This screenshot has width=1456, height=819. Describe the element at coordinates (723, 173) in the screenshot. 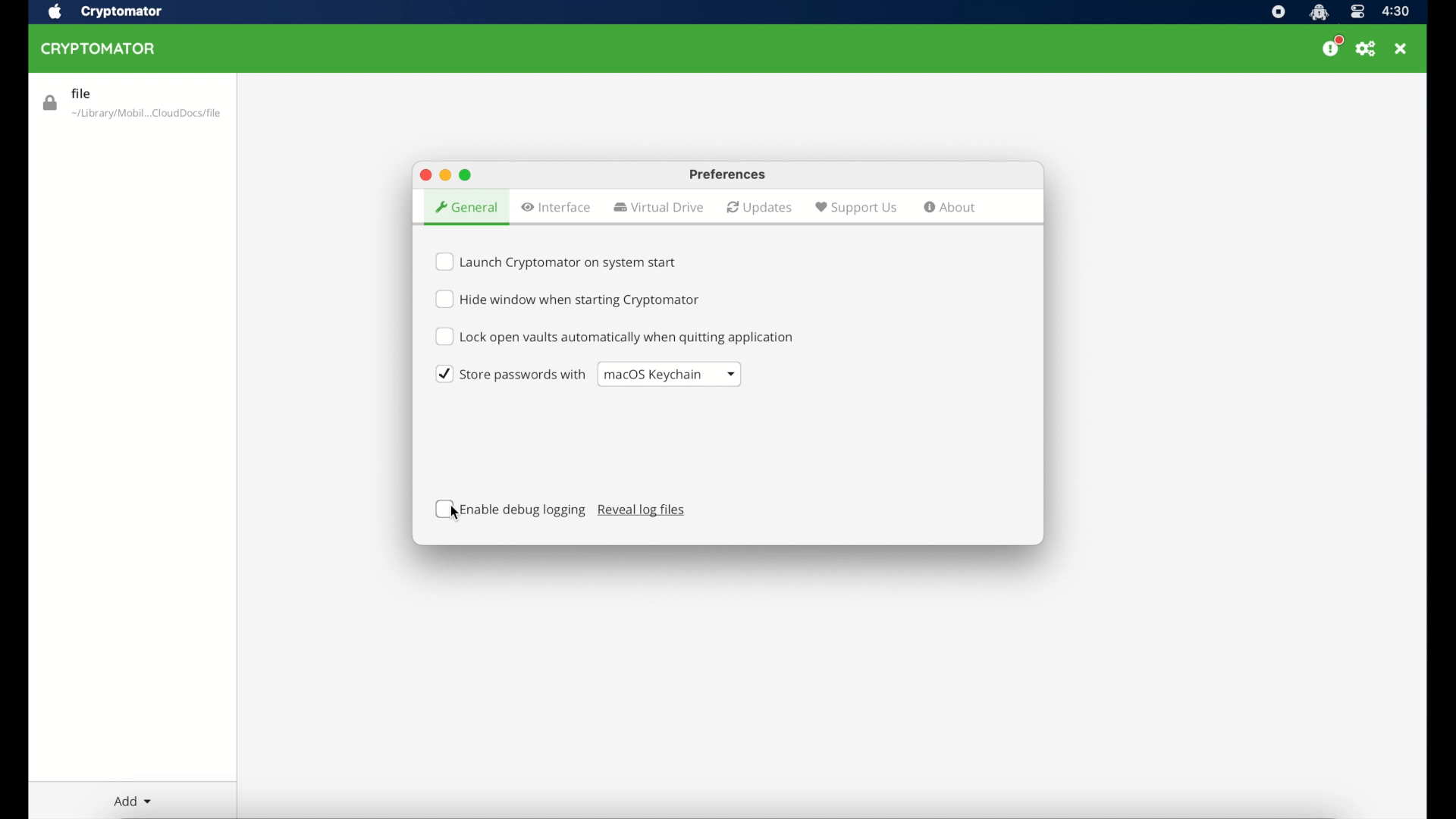

I see `preferences` at that location.